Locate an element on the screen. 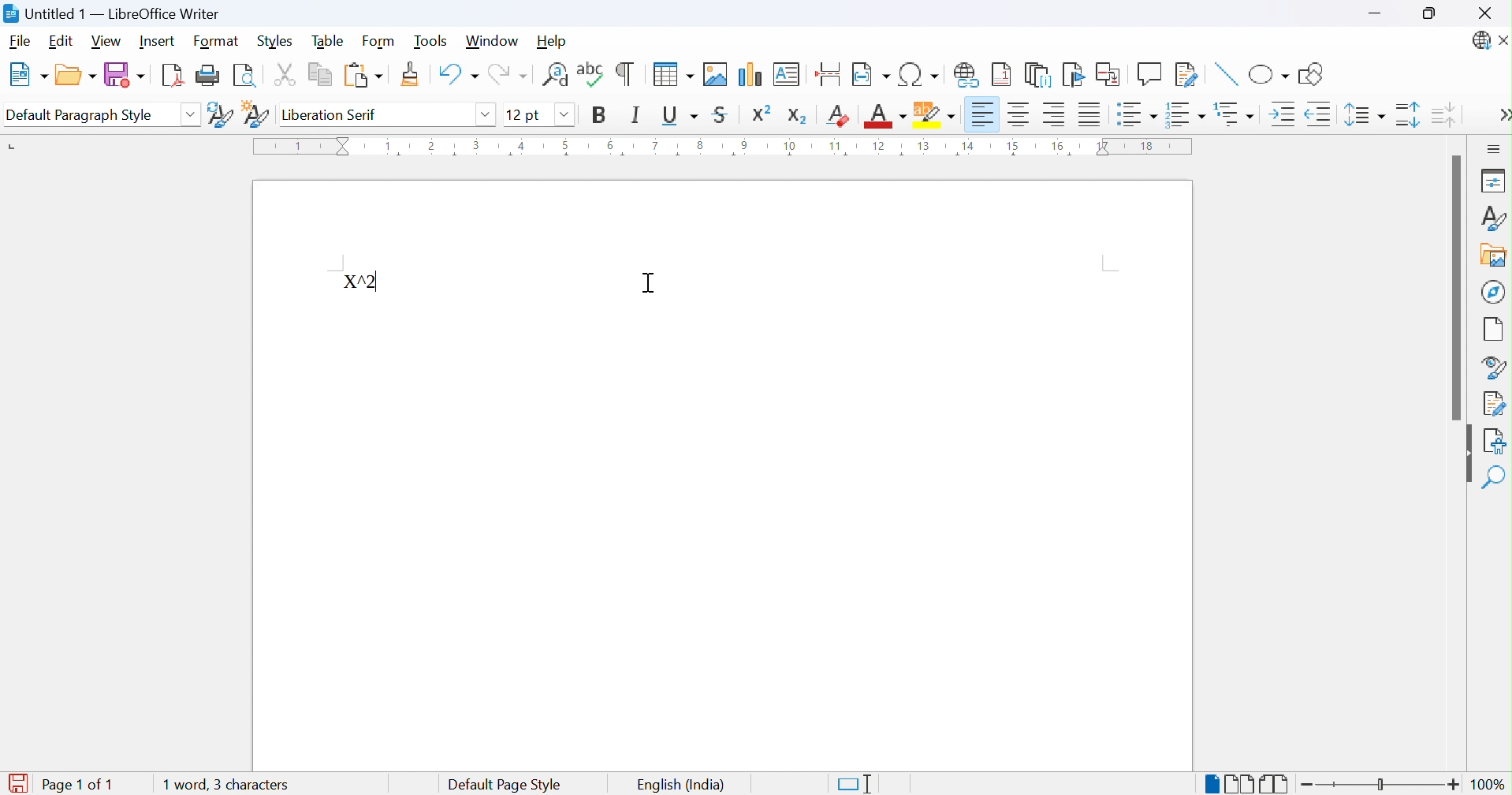 This screenshot has height=795, width=1512. Show draw functions is located at coordinates (1315, 73).